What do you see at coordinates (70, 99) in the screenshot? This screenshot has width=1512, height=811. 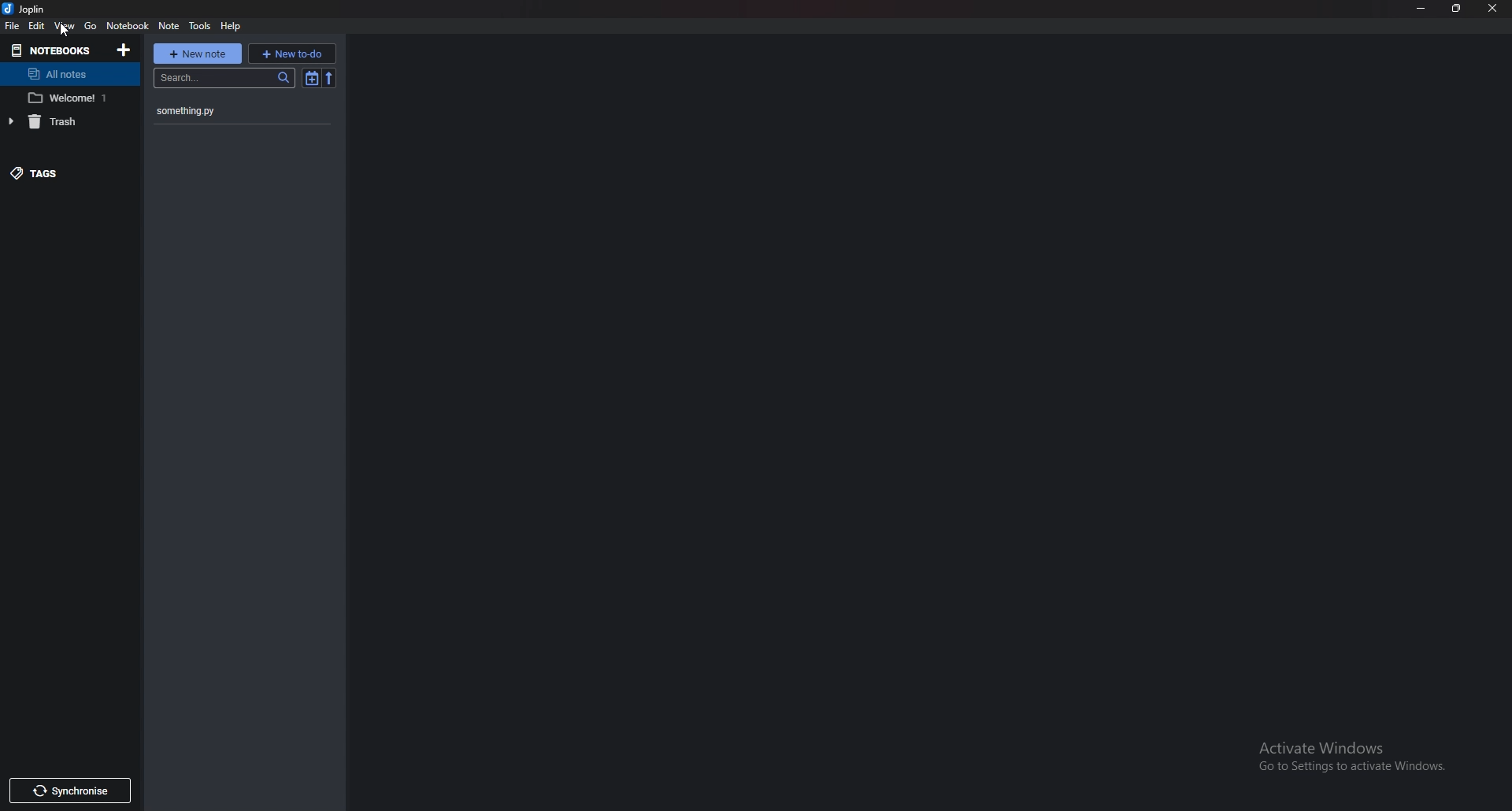 I see `notebook` at bounding box center [70, 99].